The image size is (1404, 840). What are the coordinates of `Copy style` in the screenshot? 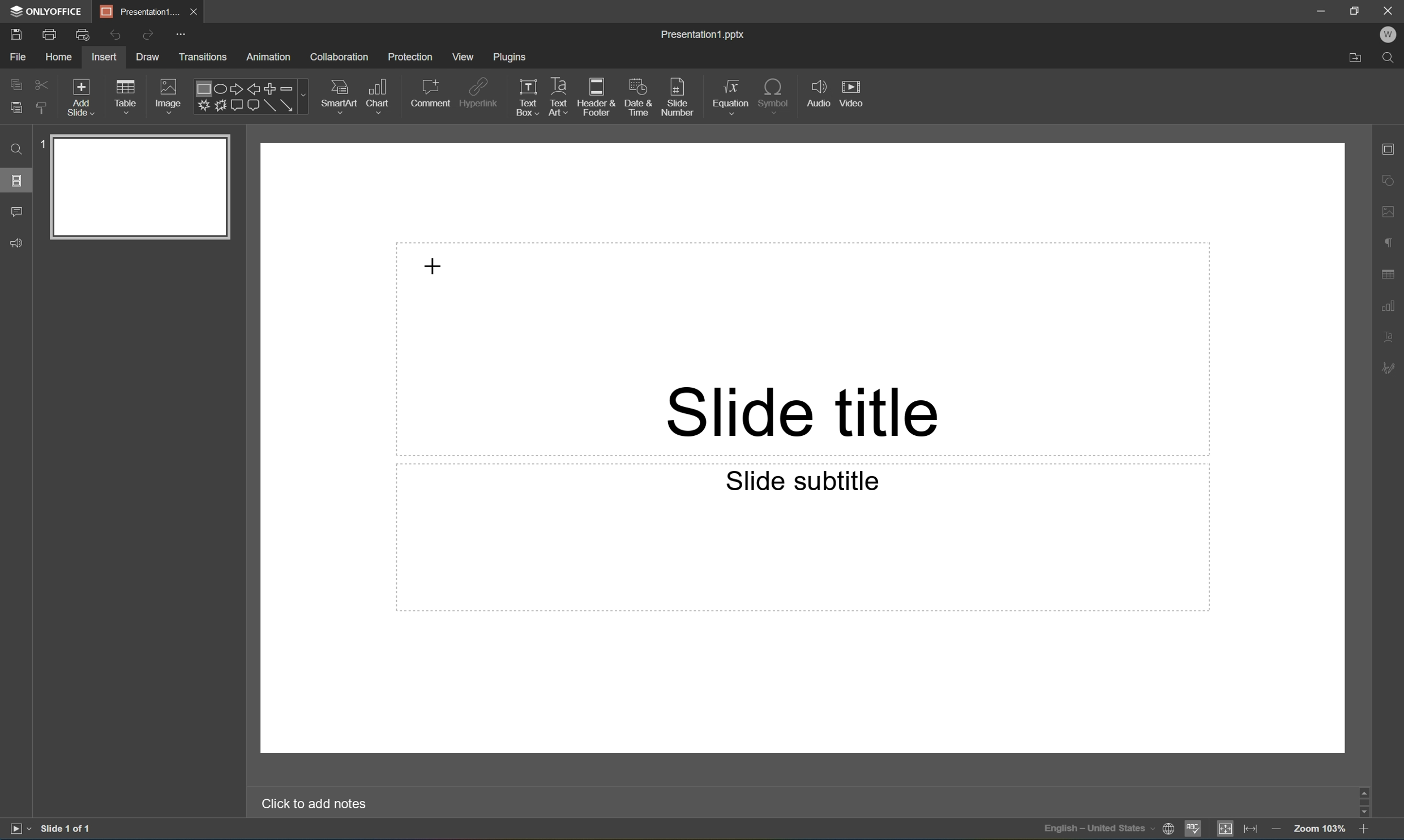 It's located at (43, 109).